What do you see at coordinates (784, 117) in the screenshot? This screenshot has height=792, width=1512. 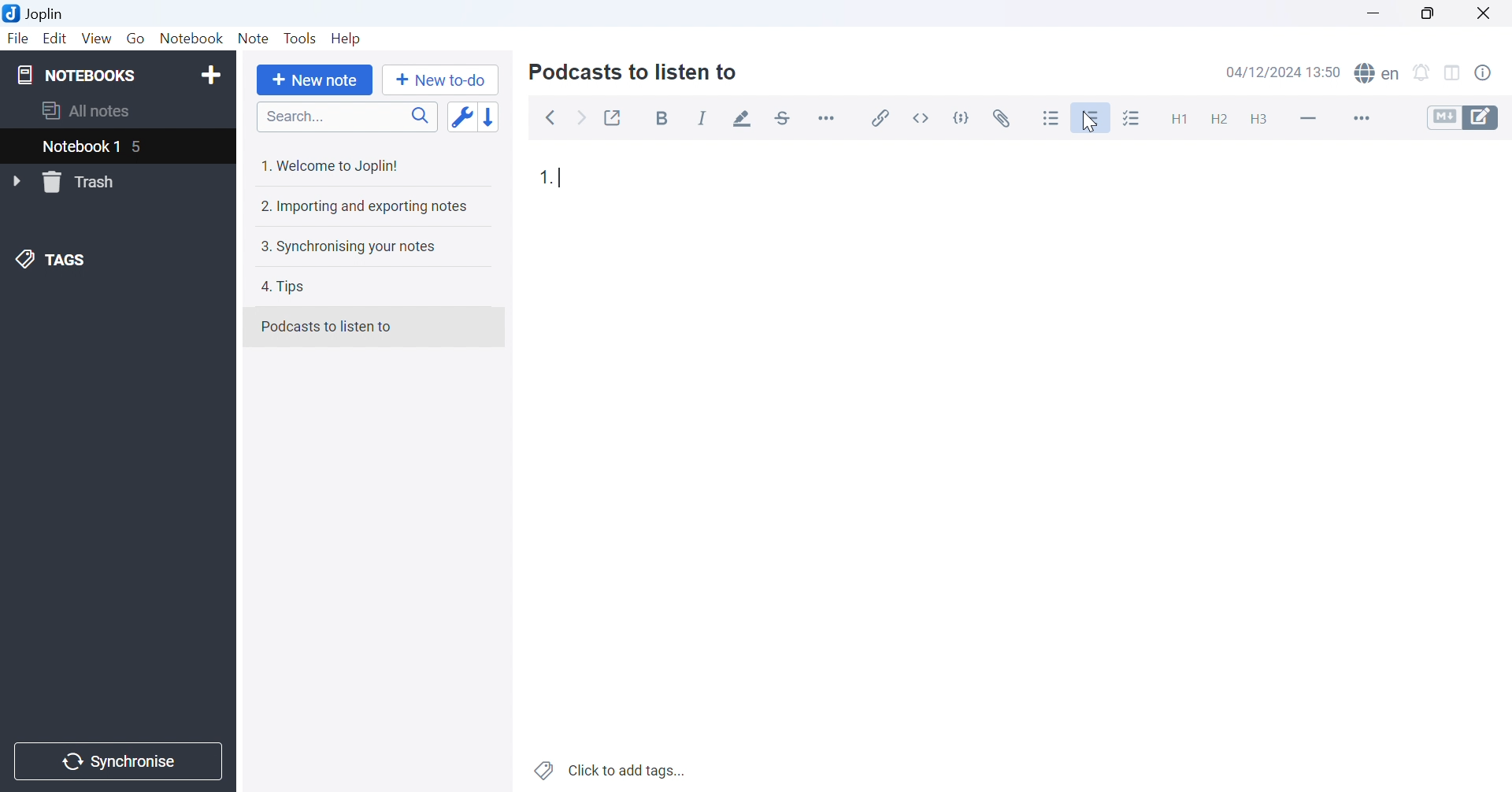 I see `Strikethrough` at bounding box center [784, 117].